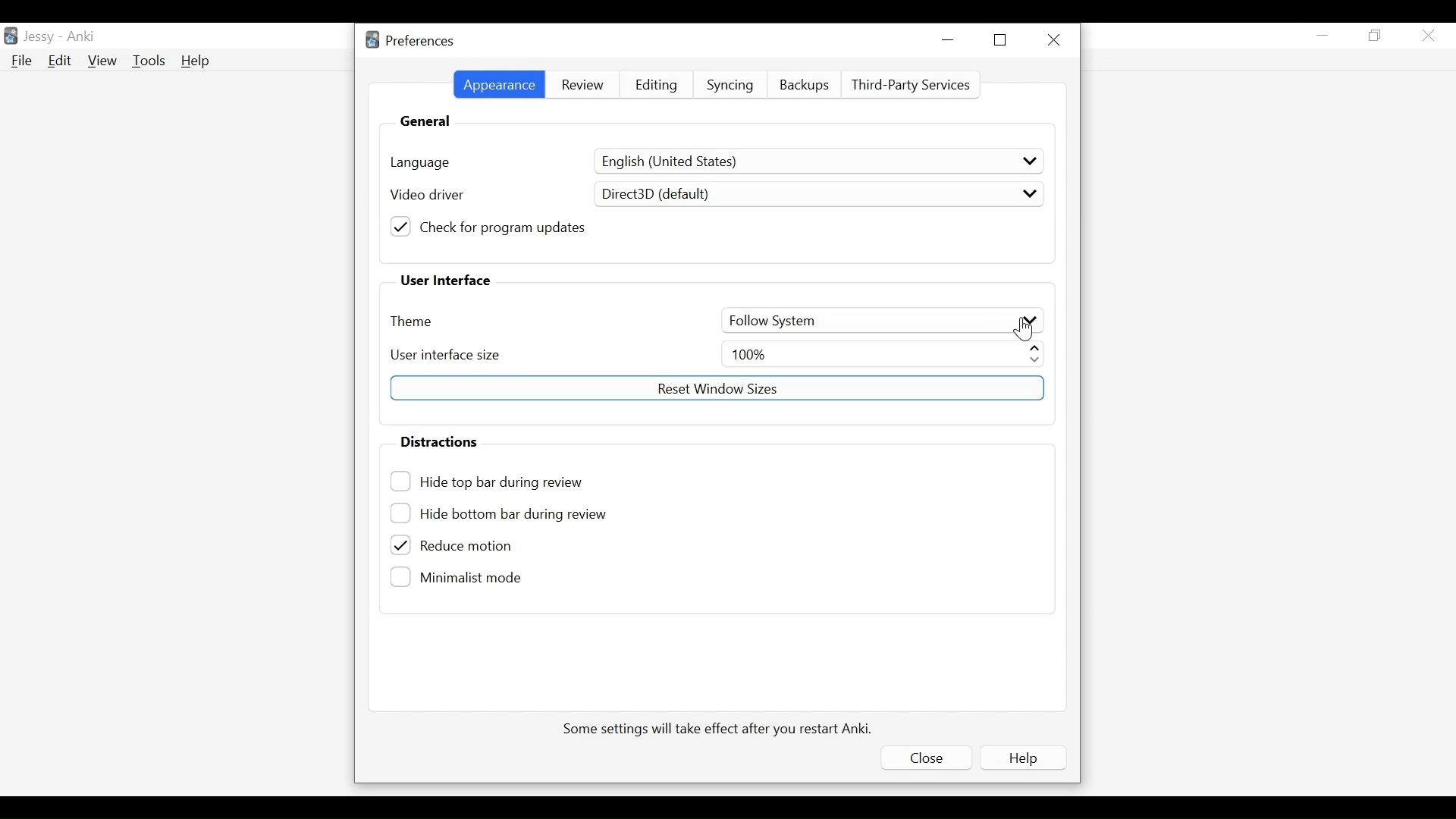 The image size is (1456, 819). What do you see at coordinates (1428, 35) in the screenshot?
I see `Close` at bounding box center [1428, 35].